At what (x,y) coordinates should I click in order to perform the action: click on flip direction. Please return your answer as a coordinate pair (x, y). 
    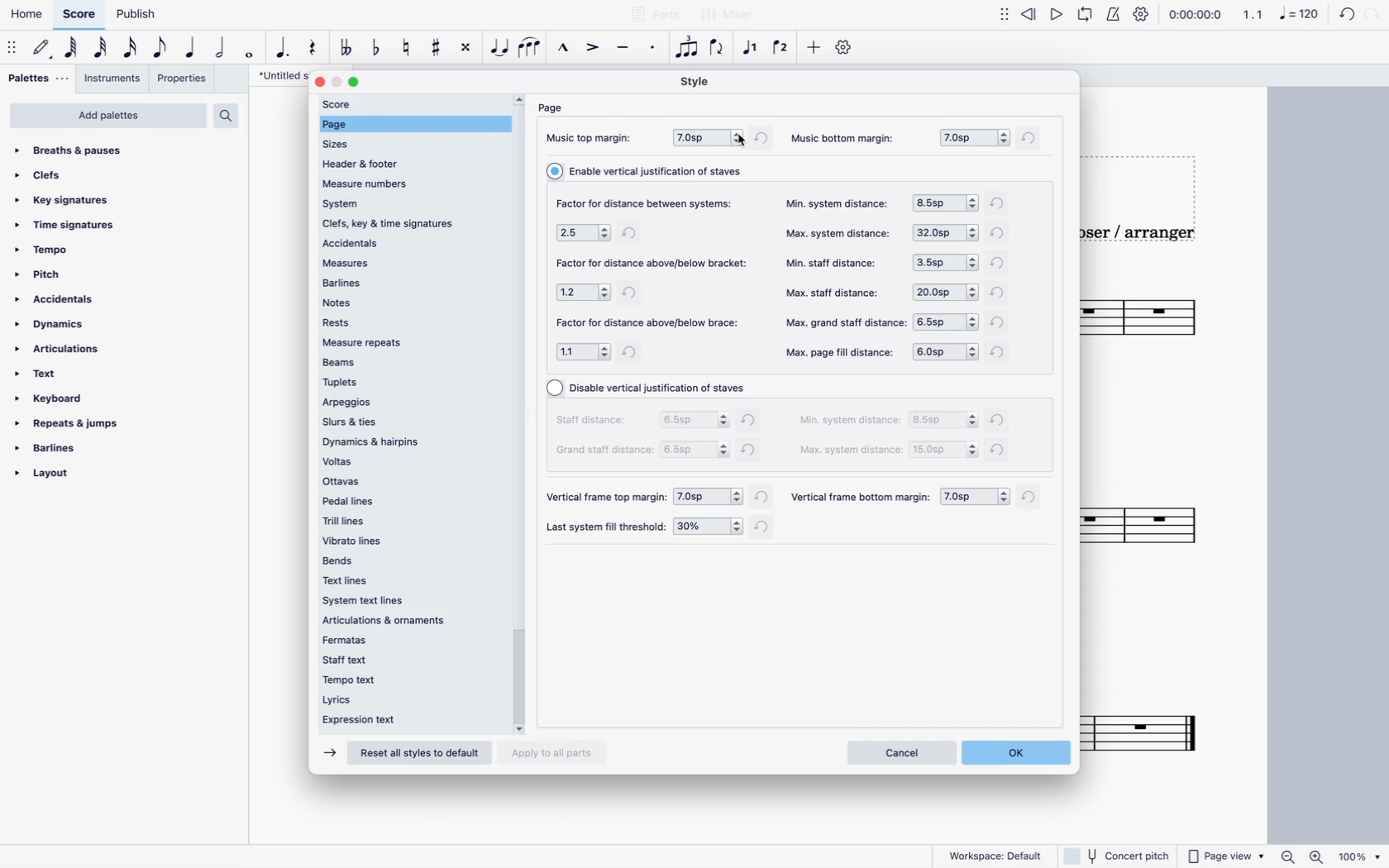
    Looking at the image, I should click on (718, 52).